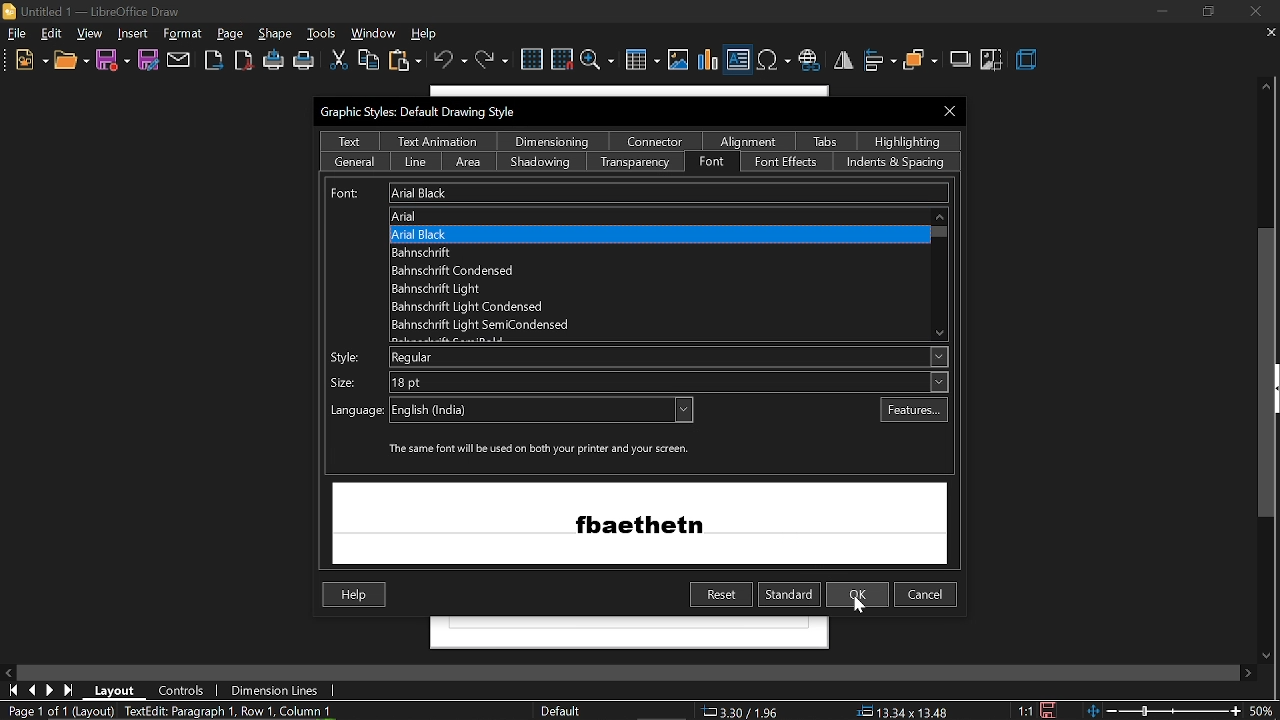 Image resolution: width=1280 pixels, height=720 pixels. I want to click on size, so click(342, 382).